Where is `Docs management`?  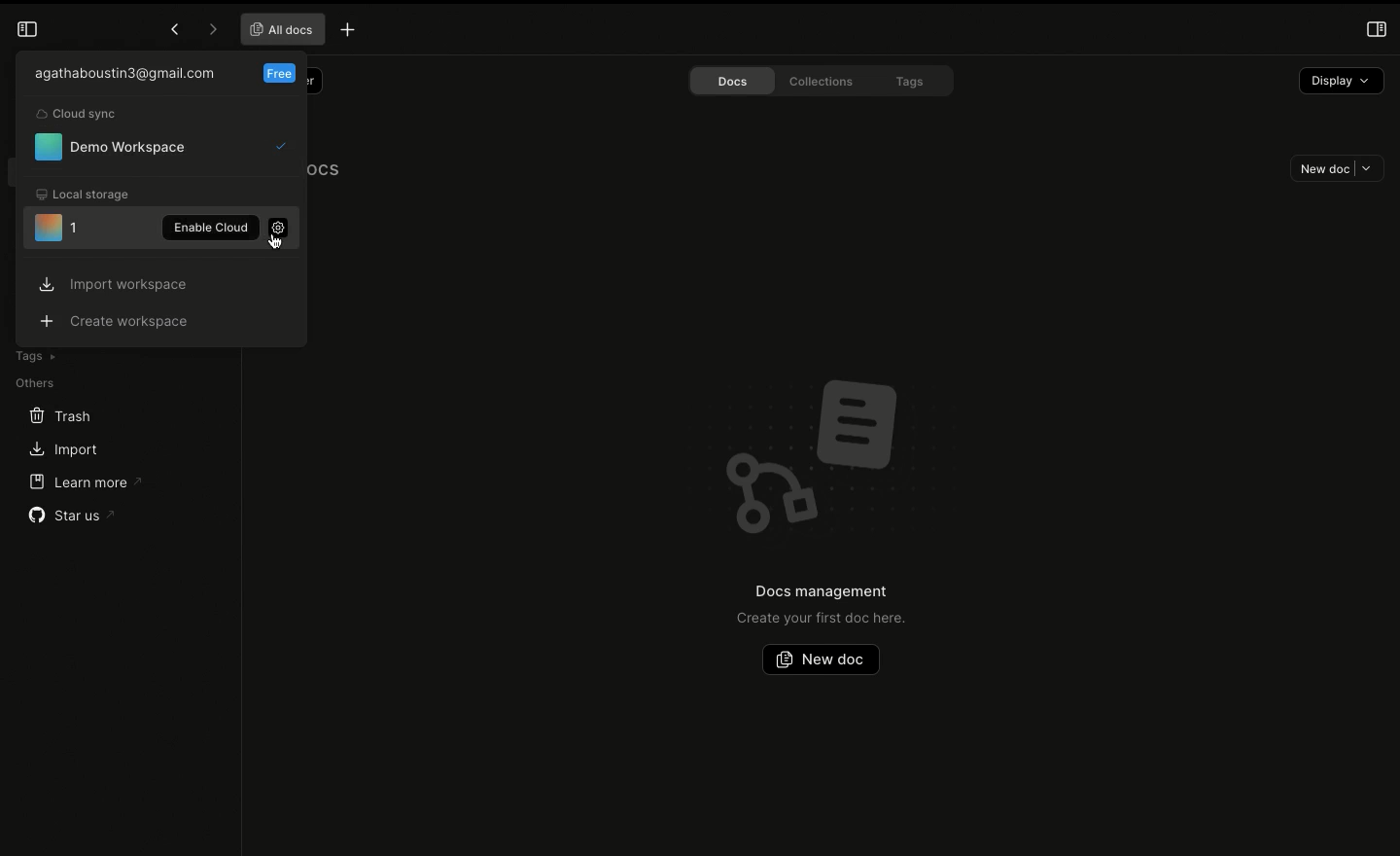 Docs management is located at coordinates (820, 591).